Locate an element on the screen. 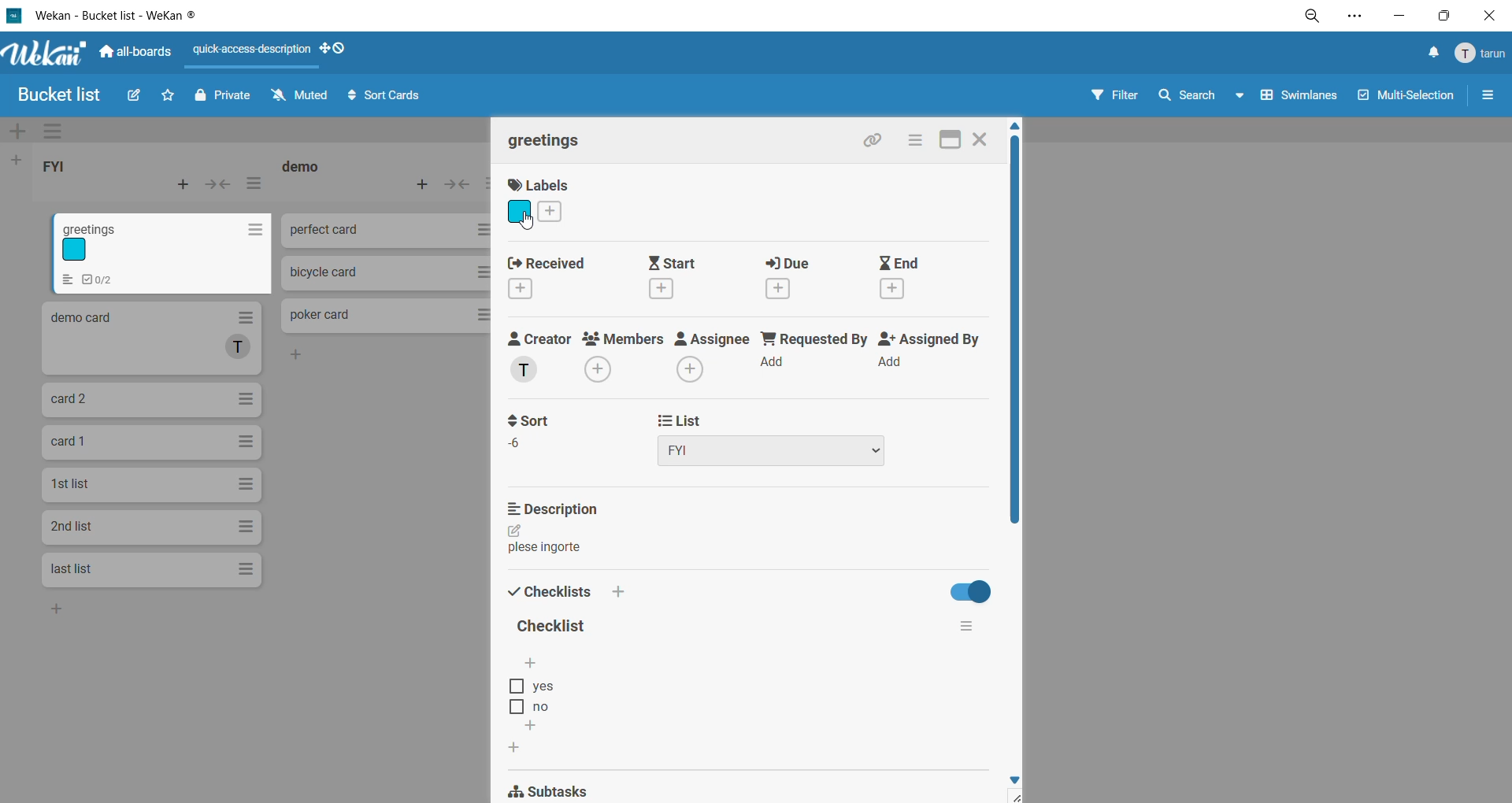 This screenshot has width=1512, height=803. maximize is located at coordinates (949, 140).